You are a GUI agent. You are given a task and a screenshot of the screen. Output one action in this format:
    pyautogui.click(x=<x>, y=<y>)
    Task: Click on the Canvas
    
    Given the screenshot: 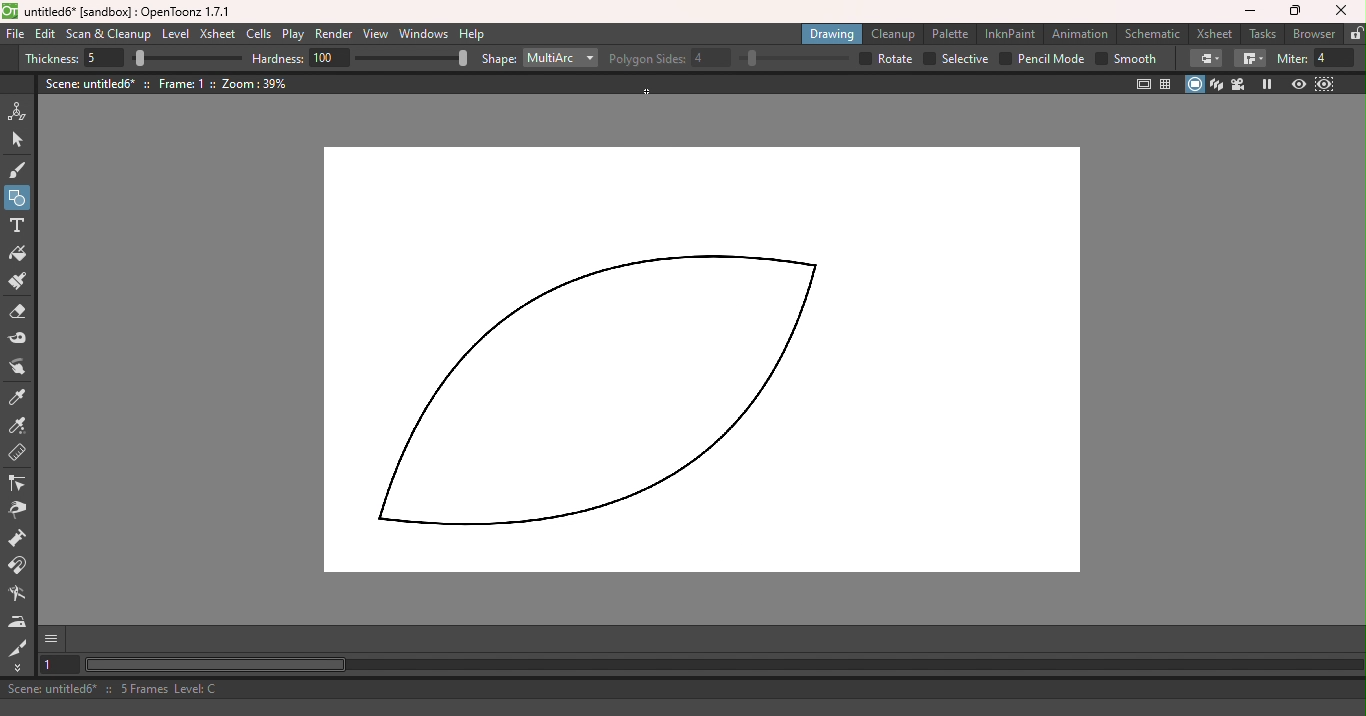 What is the action you would take?
    pyautogui.click(x=699, y=363)
    